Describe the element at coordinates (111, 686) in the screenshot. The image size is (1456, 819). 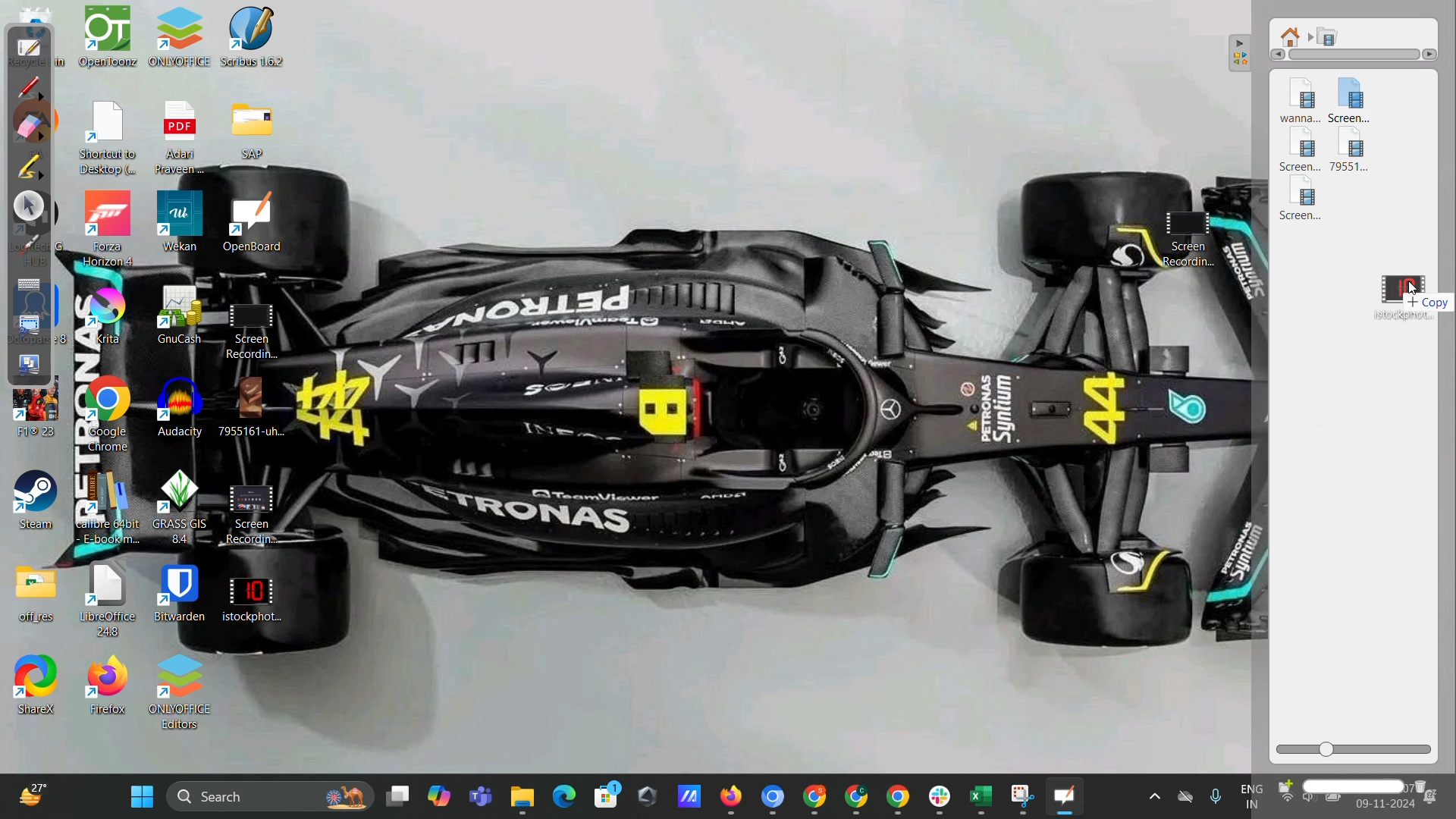
I see `Firefox` at that location.